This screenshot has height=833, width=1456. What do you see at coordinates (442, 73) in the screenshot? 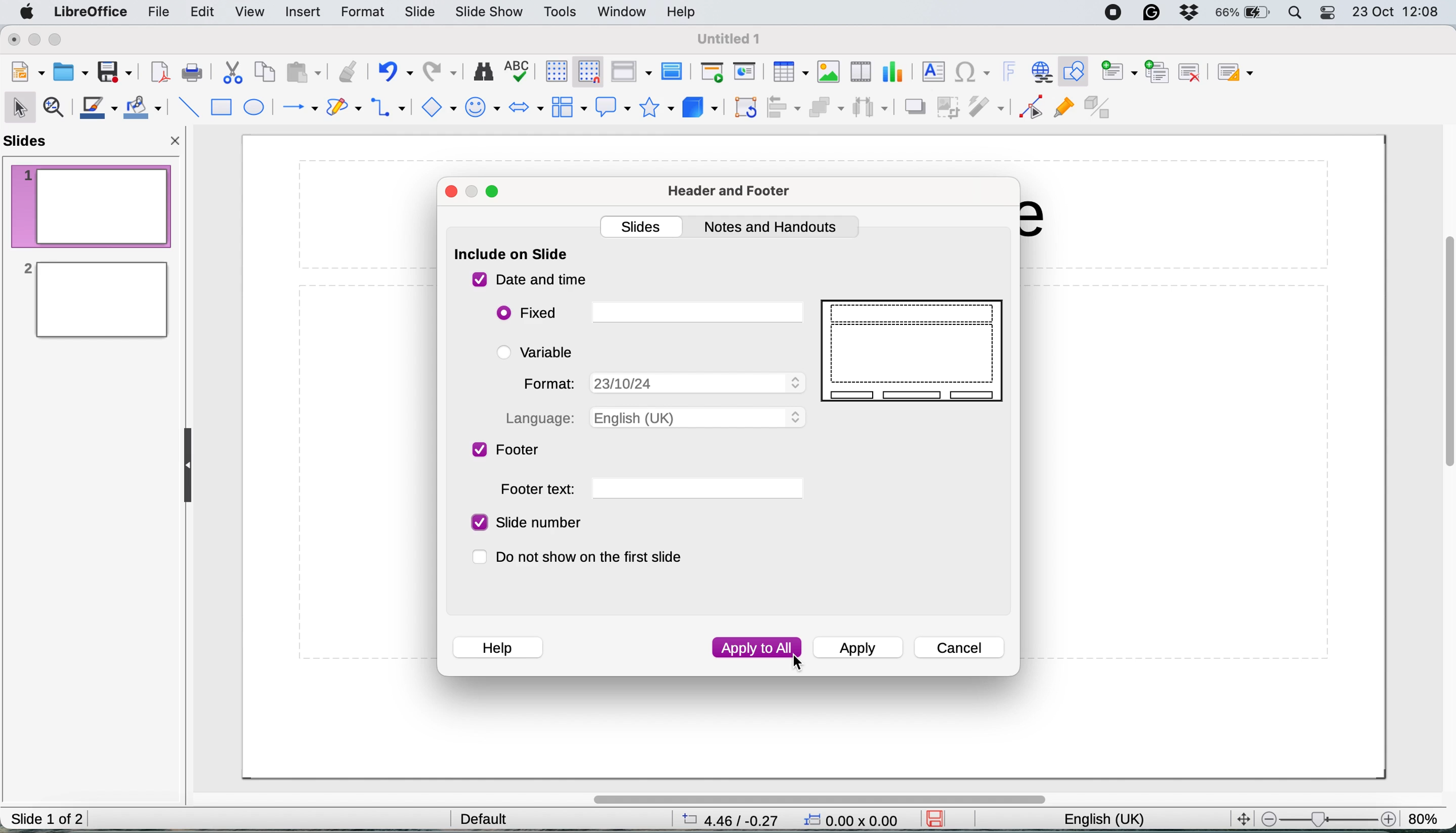
I see `redo` at bounding box center [442, 73].